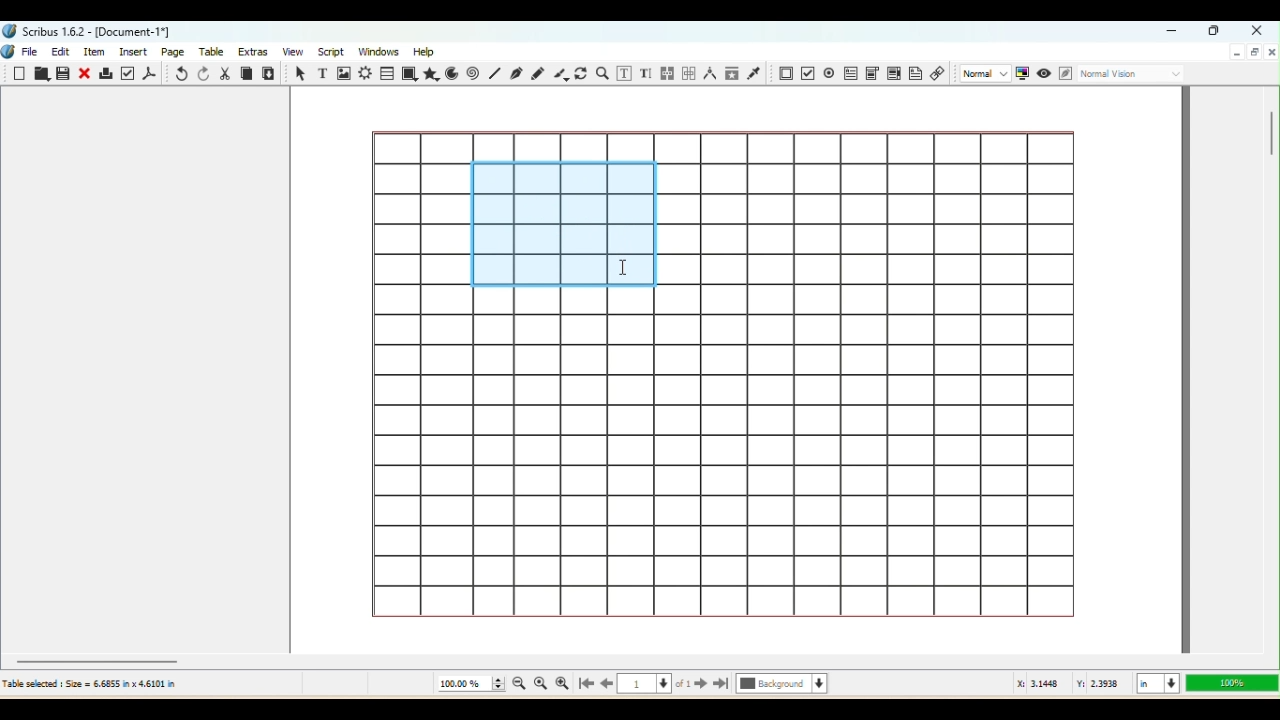  Describe the element at coordinates (330, 52) in the screenshot. I see `Script` at that location.